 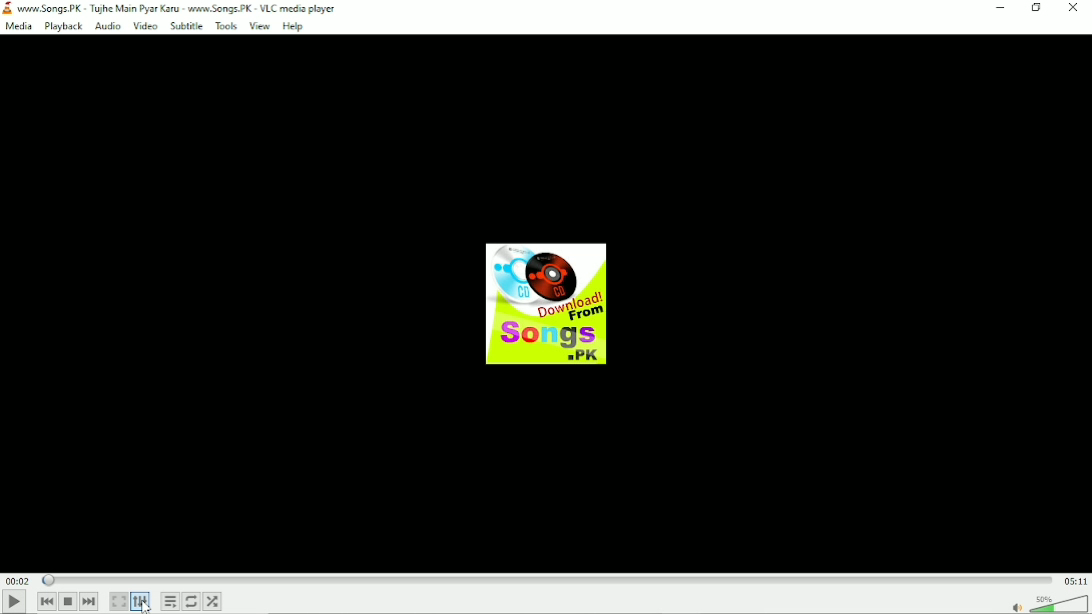 What do you see at coordinates (1074, 8) in the screenshot?
I see `Close` at bounding box center [1074, 8].